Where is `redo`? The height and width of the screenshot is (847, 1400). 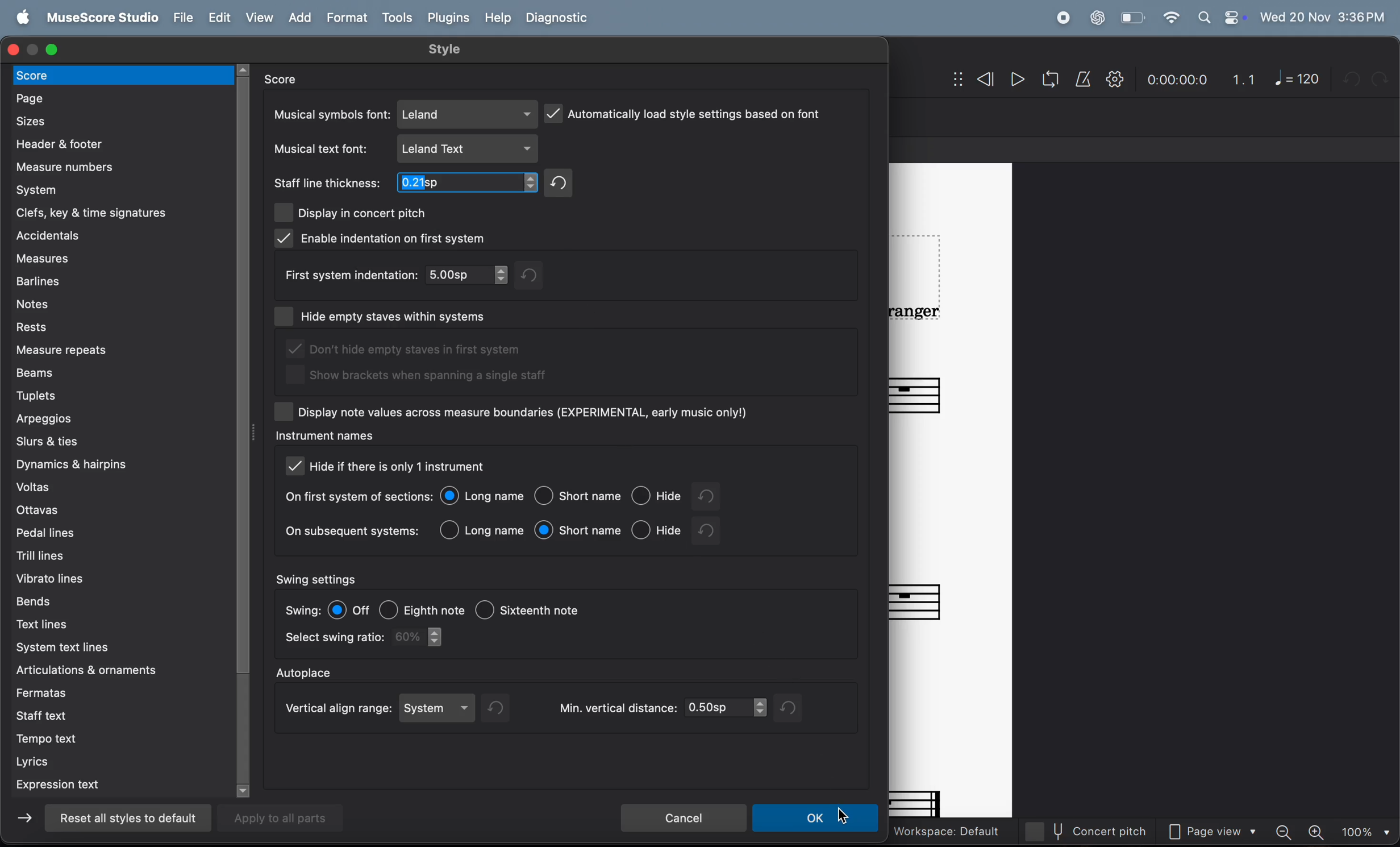 redo is located at coordinates (539, 275).